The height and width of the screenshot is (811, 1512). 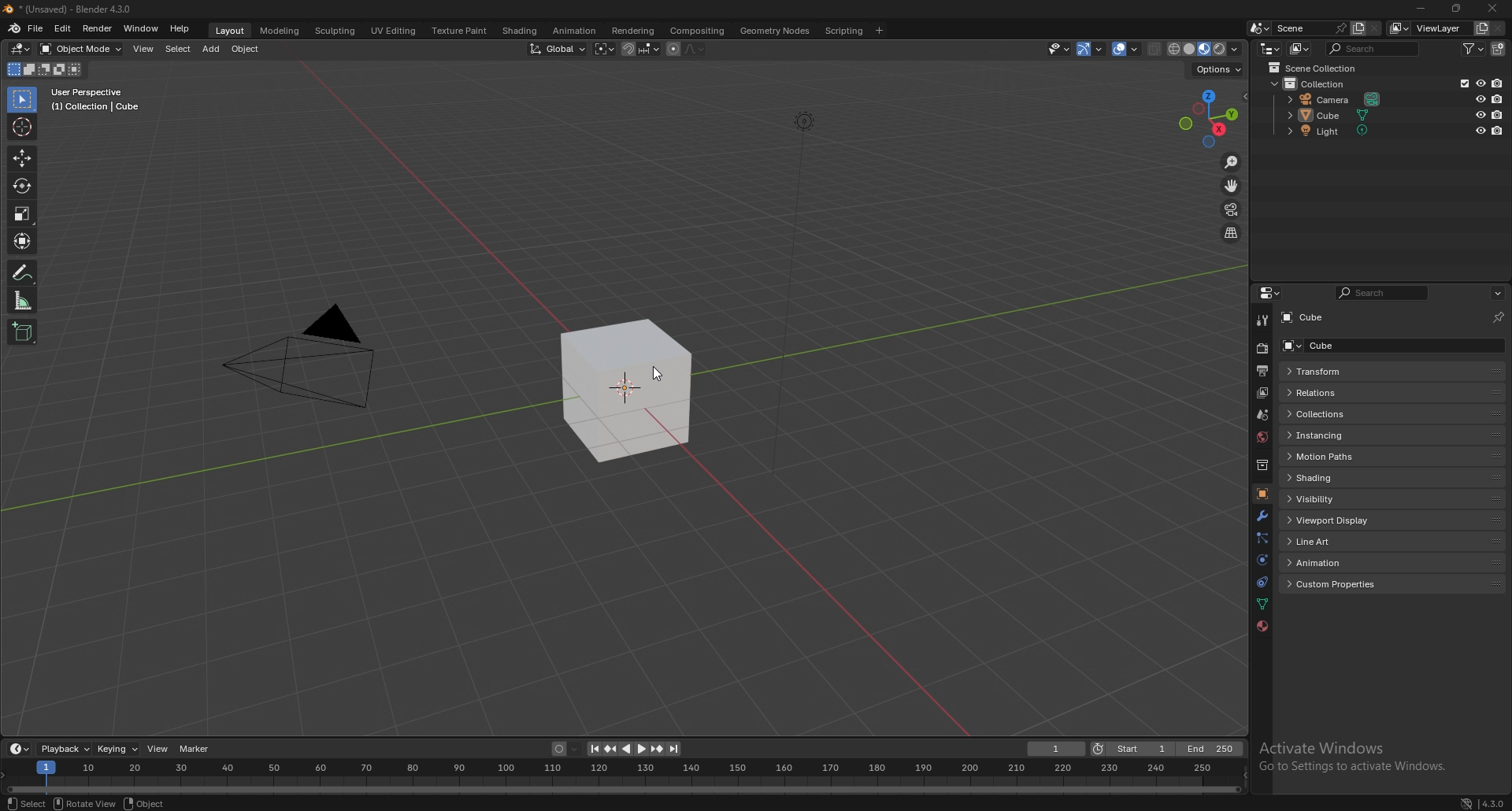 What do you see at coordinates (1299, 48) in the screenshot?
I see `display mode` at bounding box center [1299, 48].